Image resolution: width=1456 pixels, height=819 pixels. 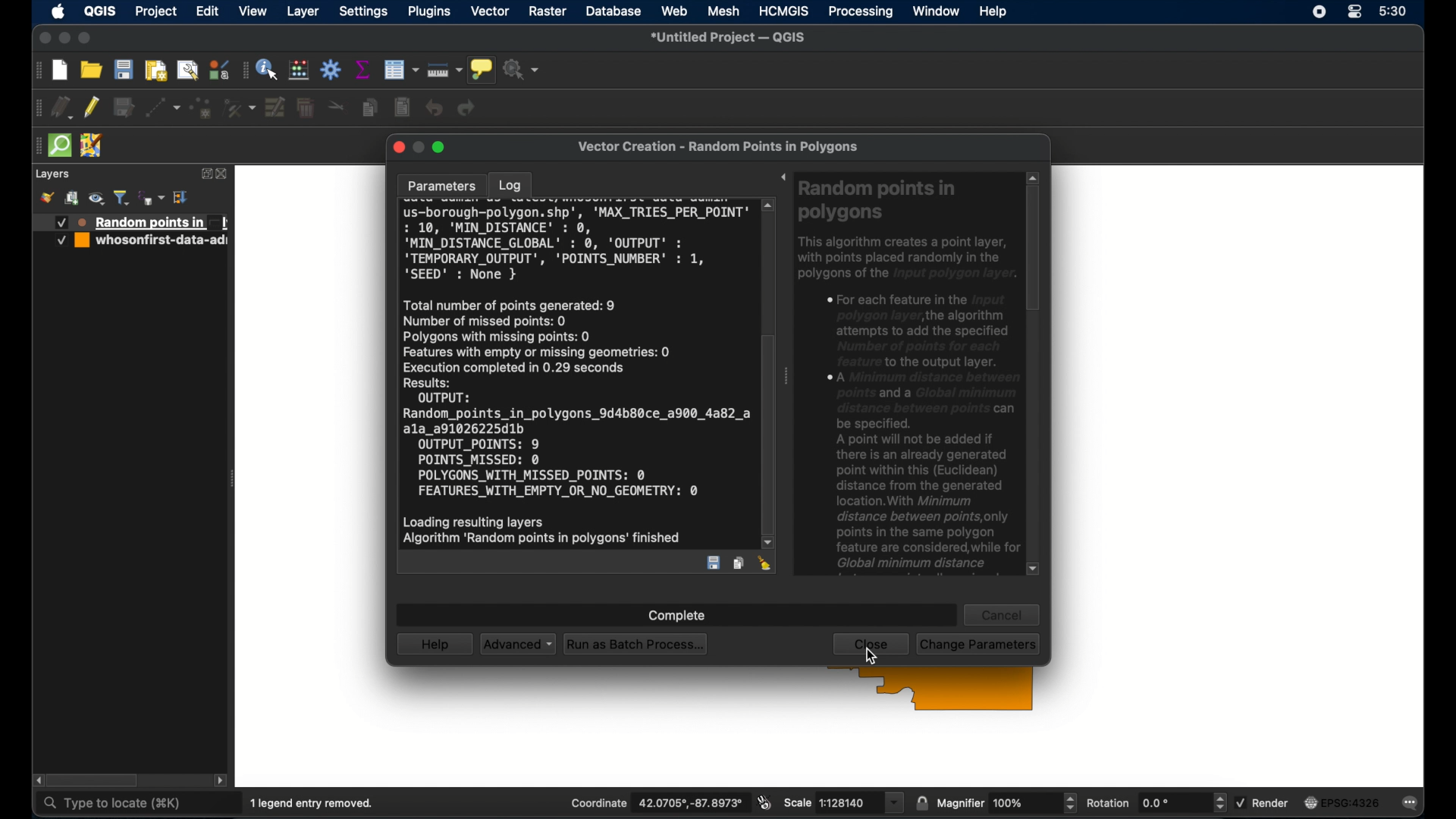 What do you see at coordinates (739, 563) in the screenshot?
I see `copy log` at bounding box center [739, 563].